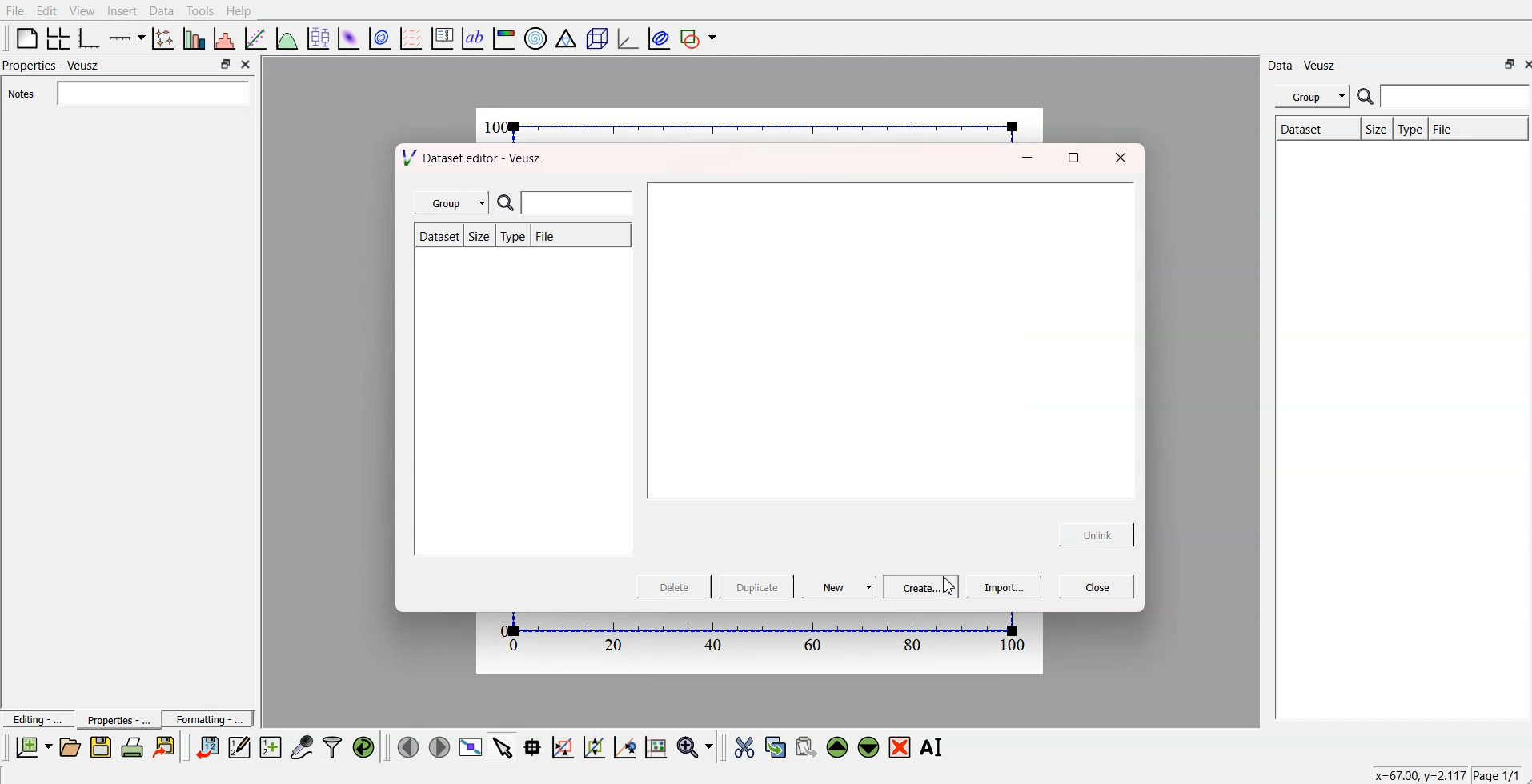 The width and height of the screenshot is (1532, 784). What do you see at coordinates (626, 745) in the screenshot?
I see `click to recentre graph axes` at bounding box center [626, 745].